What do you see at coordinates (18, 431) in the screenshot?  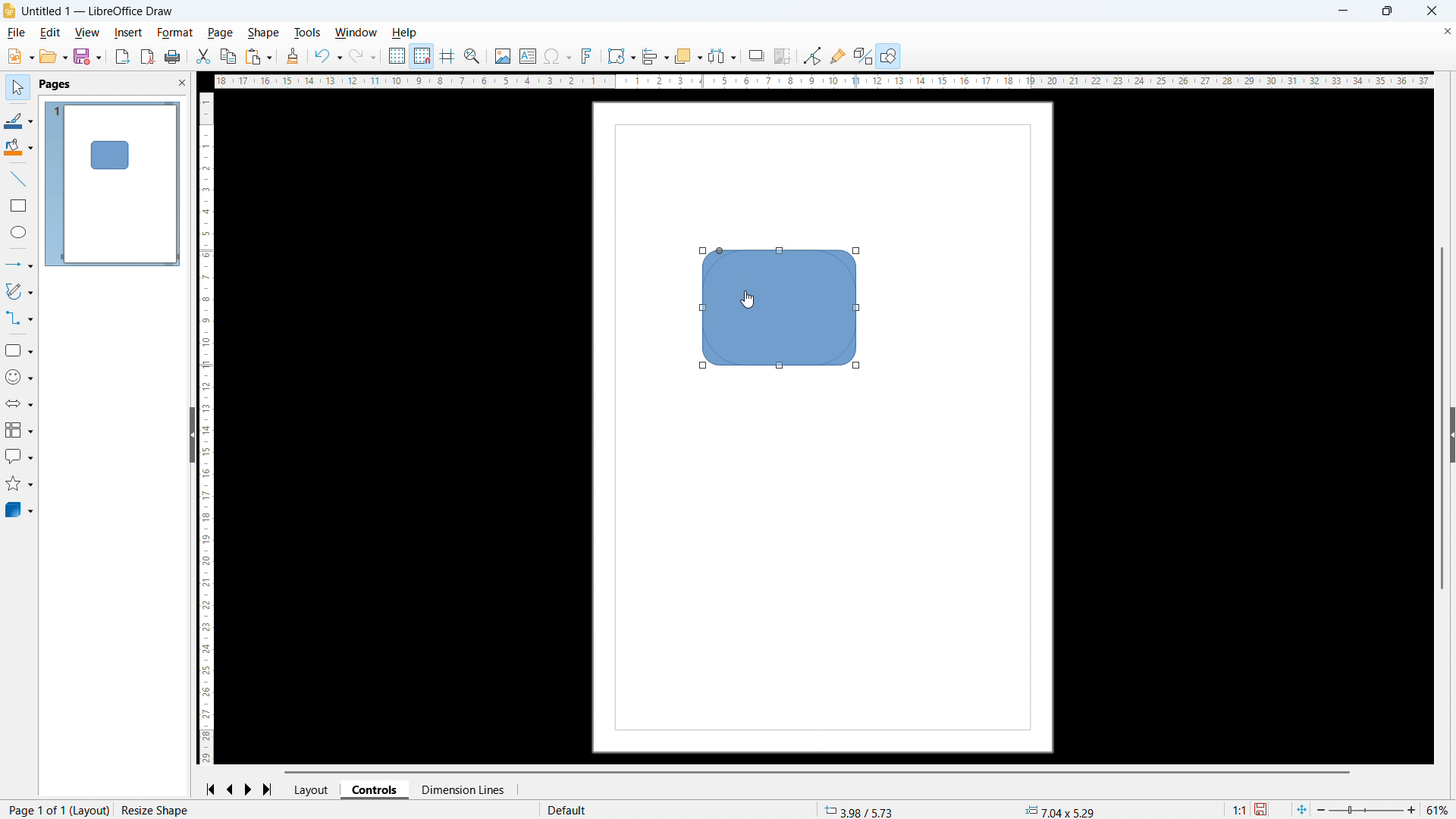 I see `Flow chart ` at bounding box center [18, 431].